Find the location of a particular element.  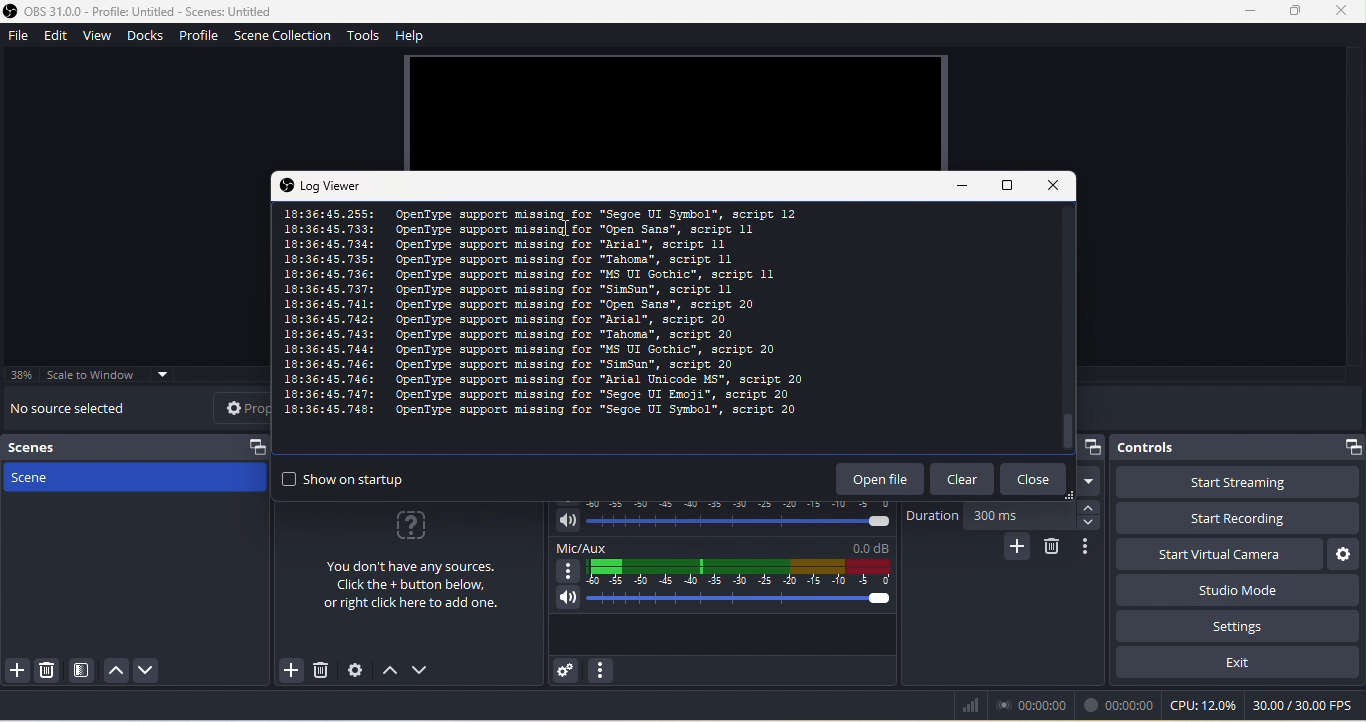

up is located at coordinates (391, 674).